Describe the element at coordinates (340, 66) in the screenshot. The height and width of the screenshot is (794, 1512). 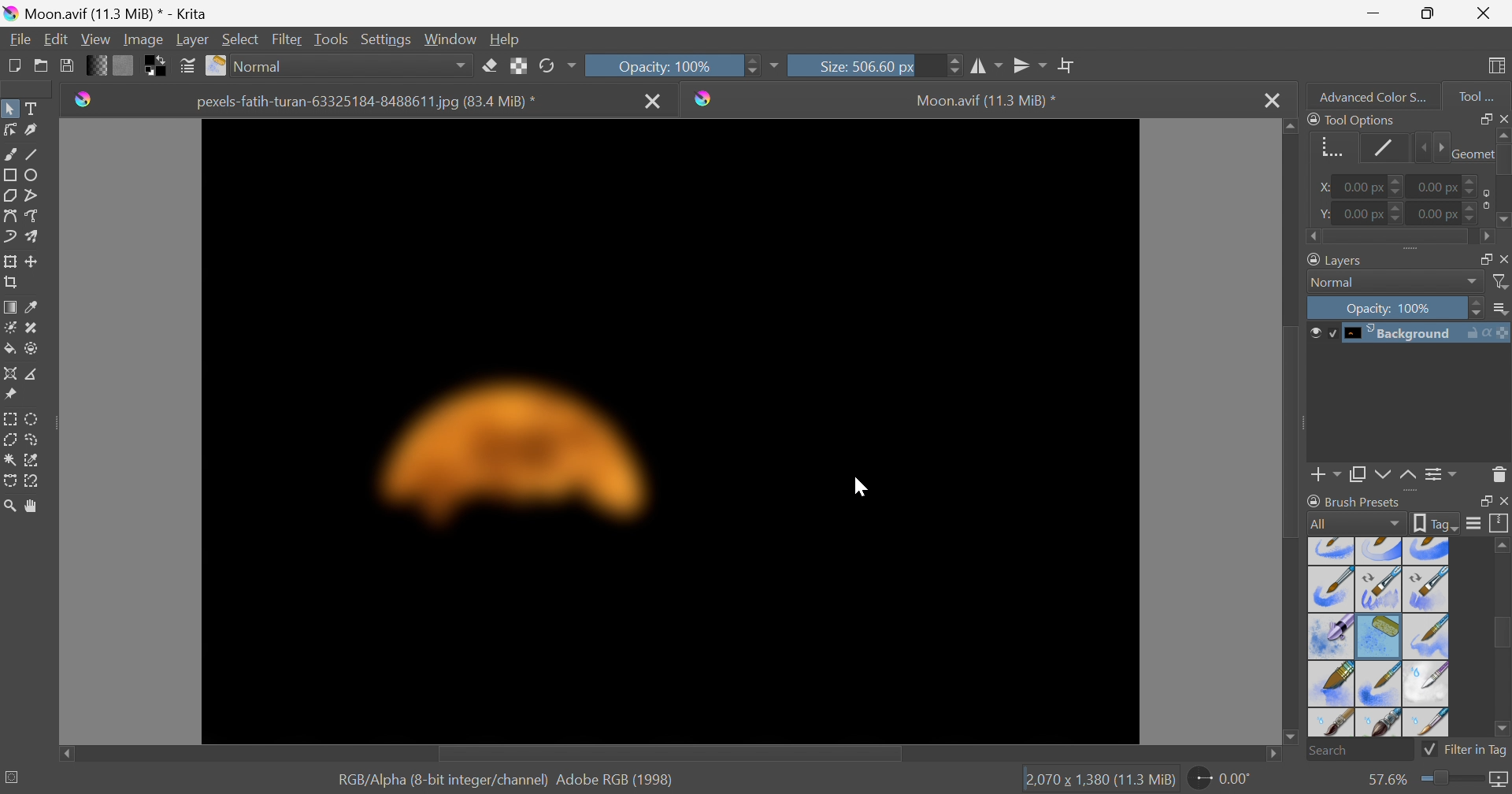
I see `Favorites` at that location.